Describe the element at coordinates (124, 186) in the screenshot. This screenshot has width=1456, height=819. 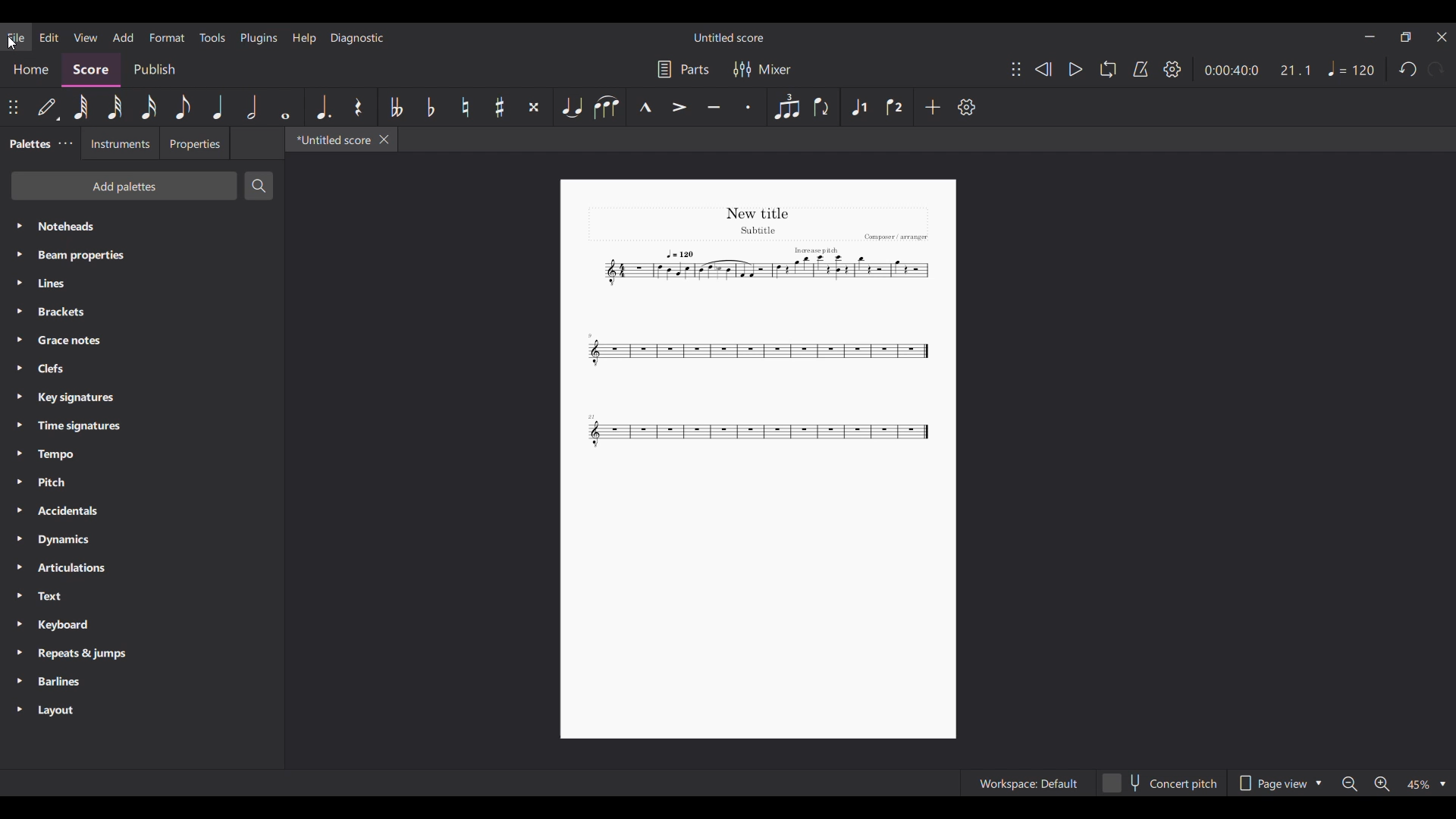
I see `Add palettes` at that location.